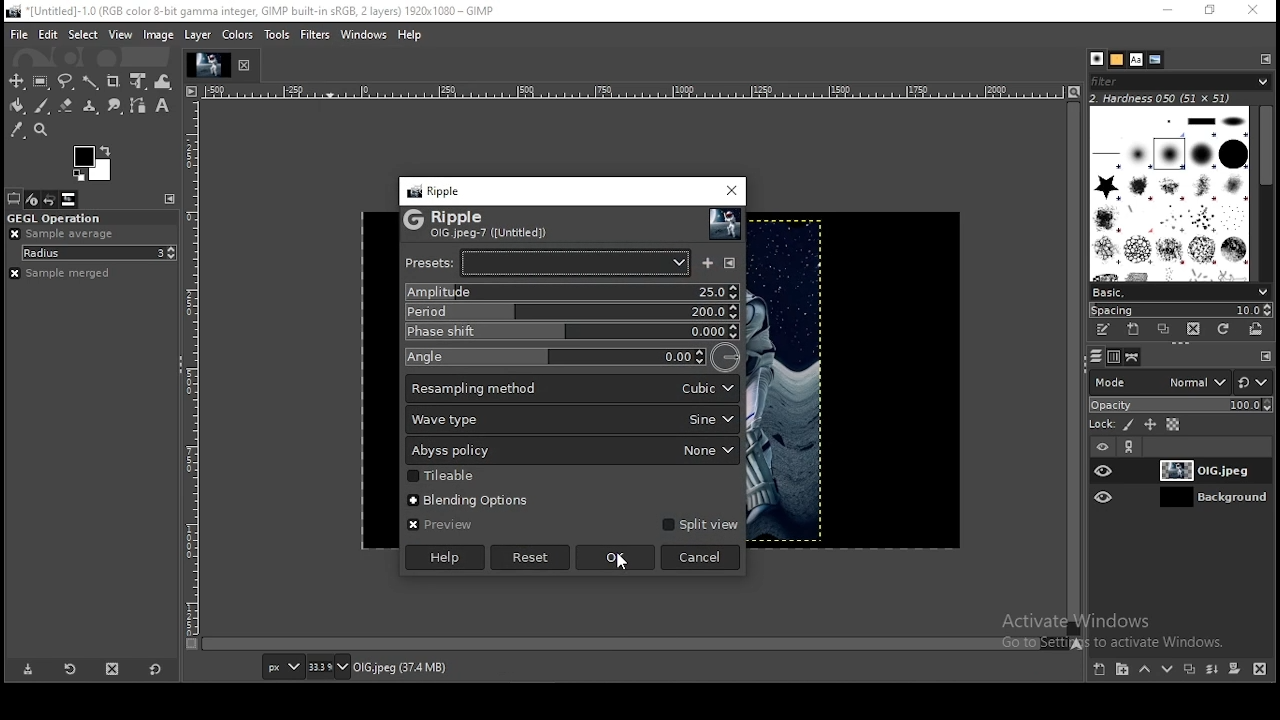  Describe the element at coordinates (197, 378) in the screenshot. I see `measuring line` at that location.